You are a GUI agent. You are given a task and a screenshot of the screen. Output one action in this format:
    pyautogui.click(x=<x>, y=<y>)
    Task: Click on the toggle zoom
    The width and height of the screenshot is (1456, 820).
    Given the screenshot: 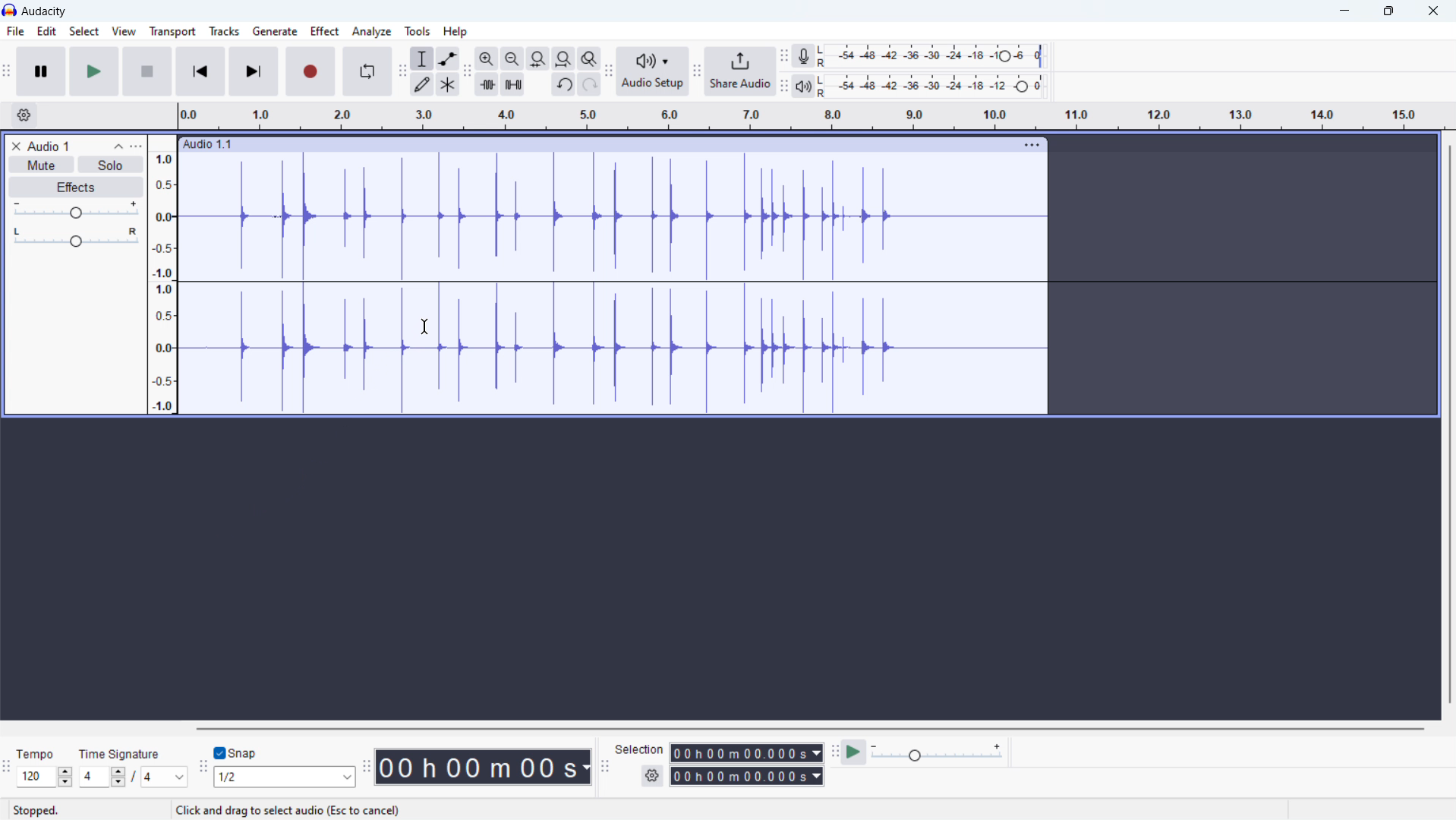 What is the action you would take?
    pyautogui.click(x=590, y=58)
    